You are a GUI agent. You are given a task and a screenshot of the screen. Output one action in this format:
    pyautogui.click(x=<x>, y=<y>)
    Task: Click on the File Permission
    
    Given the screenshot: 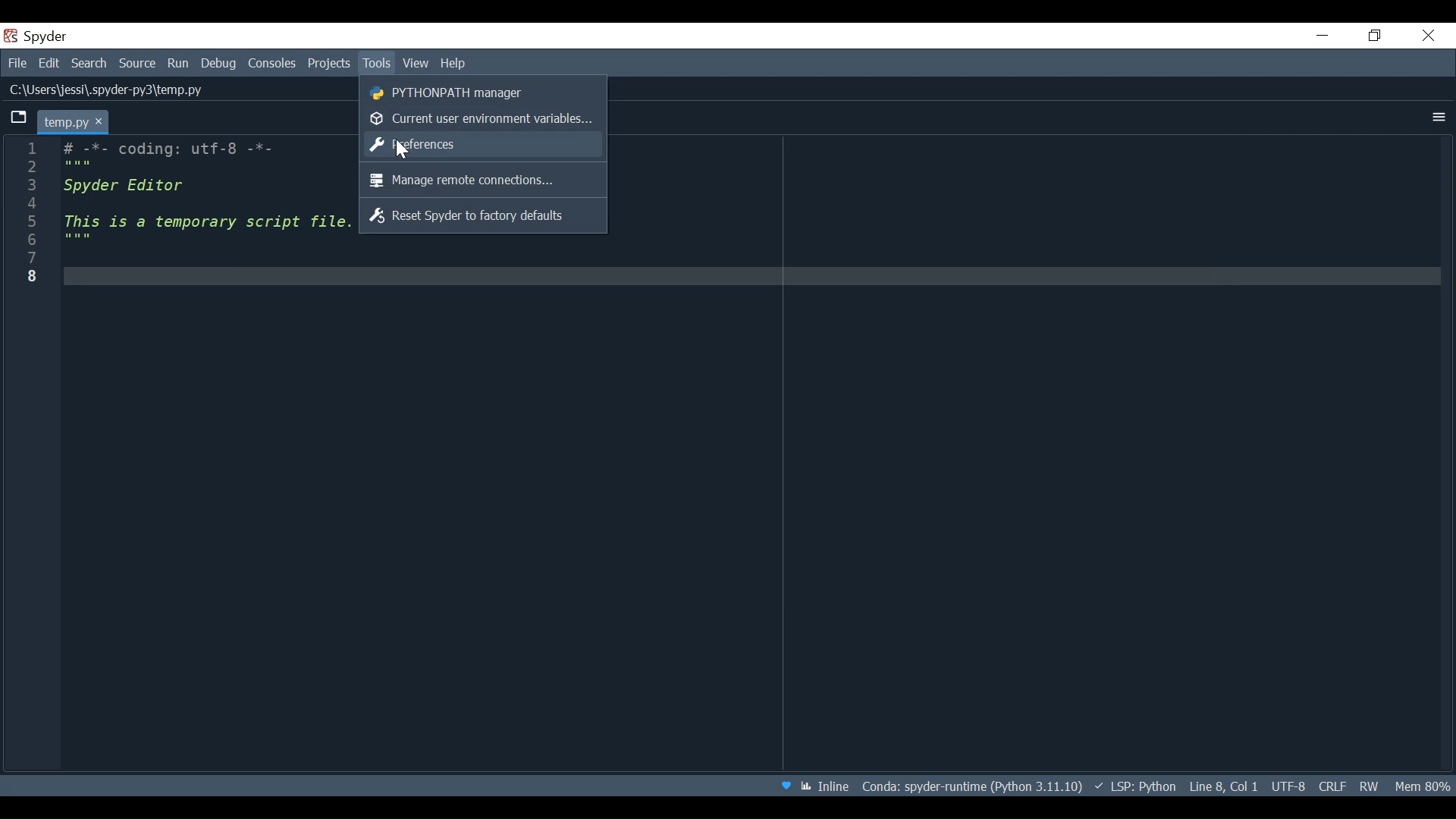 What is the action you would take?
    pyautogui.click(x=1369, y=784)
    